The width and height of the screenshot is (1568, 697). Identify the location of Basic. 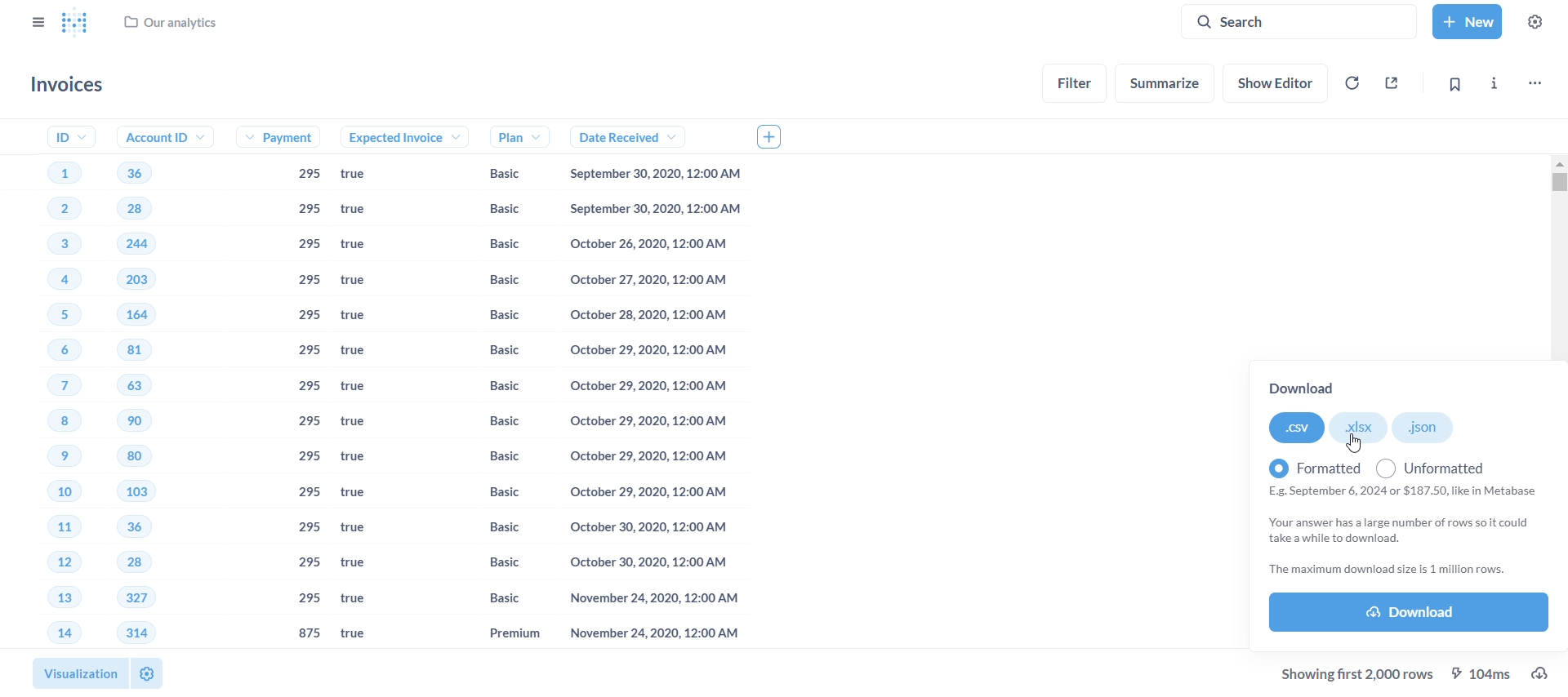
(499, 174).